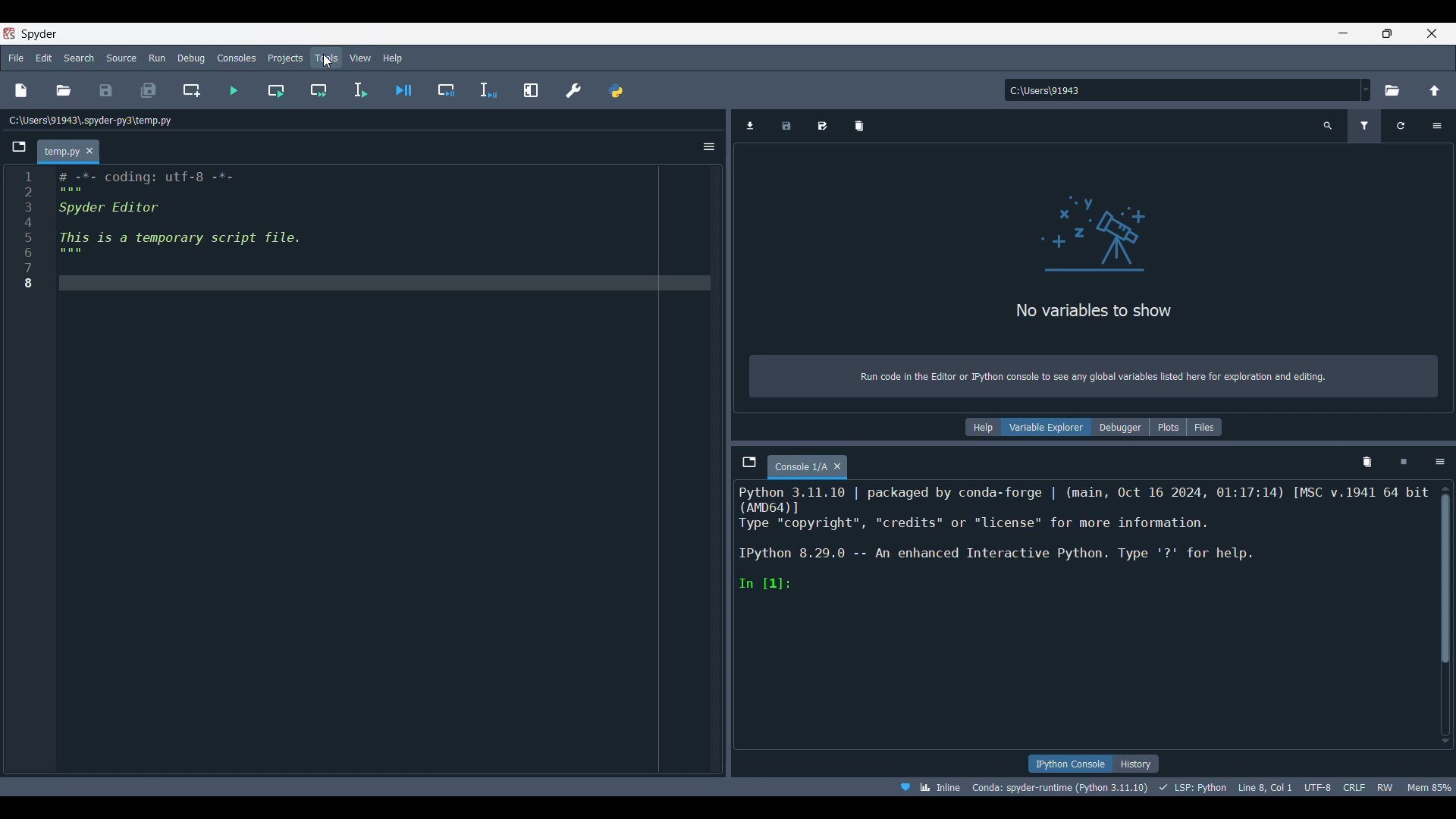  I want to click on History, so click(1136, 763).